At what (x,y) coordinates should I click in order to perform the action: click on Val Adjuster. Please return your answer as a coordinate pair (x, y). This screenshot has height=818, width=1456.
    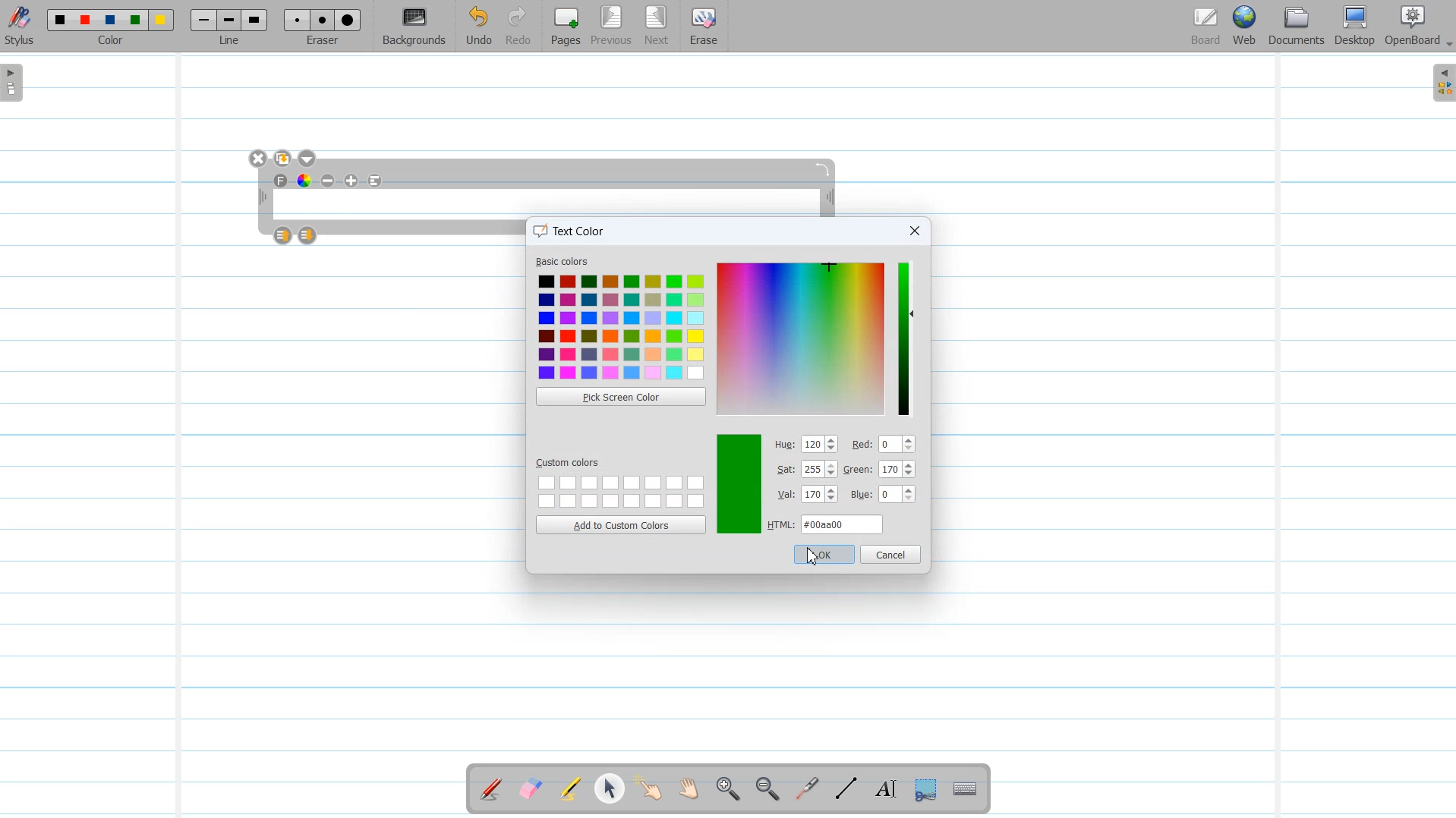
    Looking at the image, I should click on (807, 496).